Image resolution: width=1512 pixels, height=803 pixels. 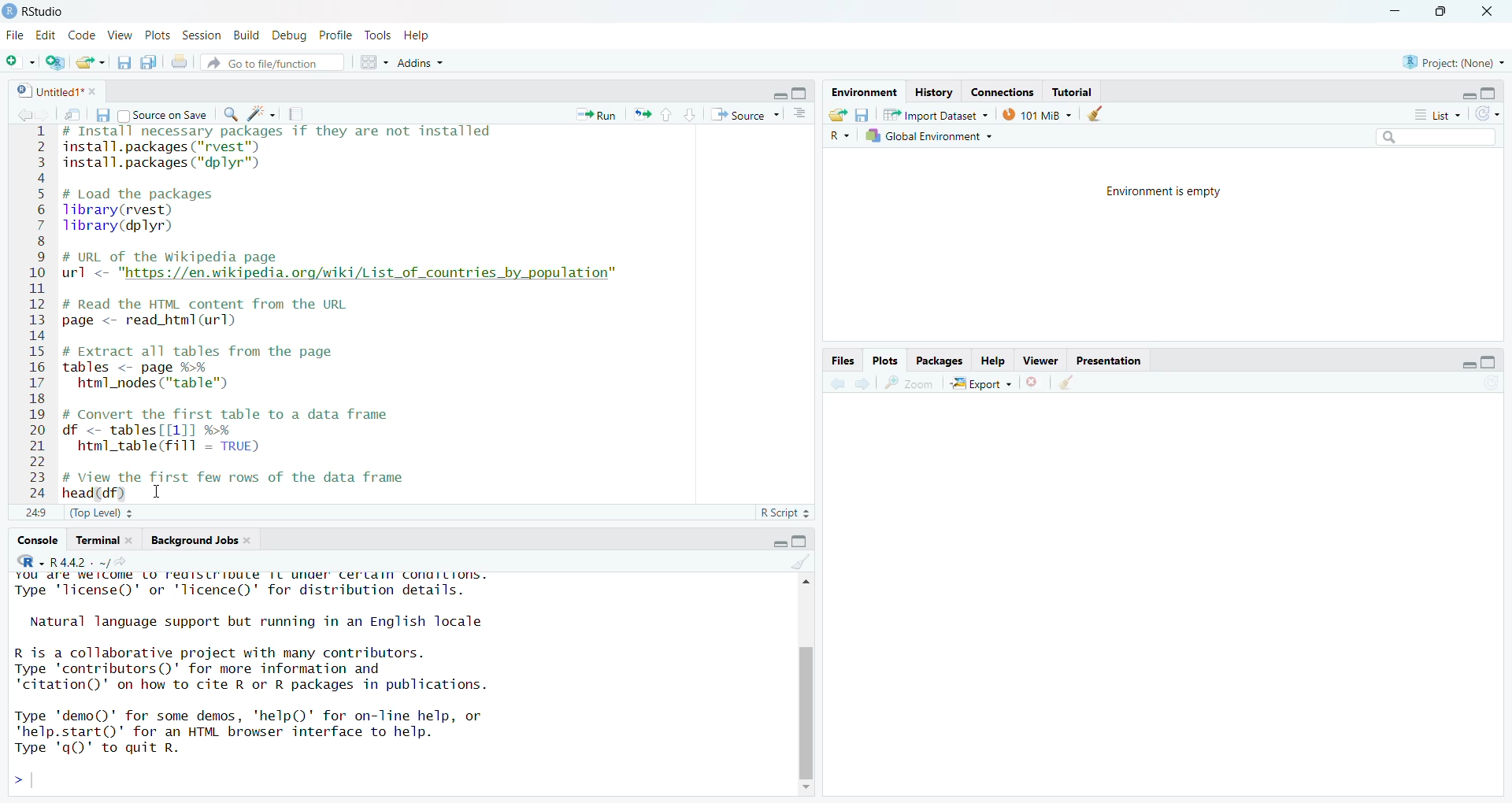 What do you see at coordinates (134, 540) in the screenshot?
I see `close` at bounding box center [134, 540].